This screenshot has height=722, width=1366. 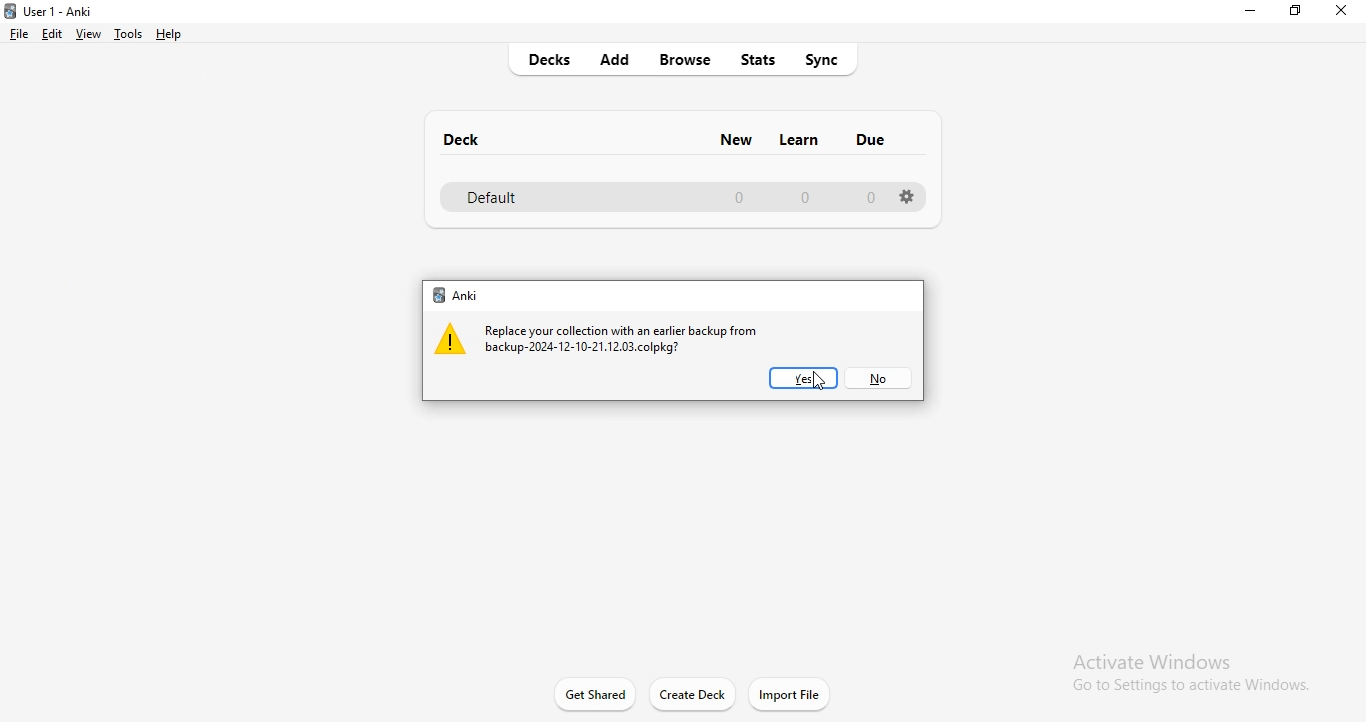 I want to click on get started, so click(x=594, y=692).